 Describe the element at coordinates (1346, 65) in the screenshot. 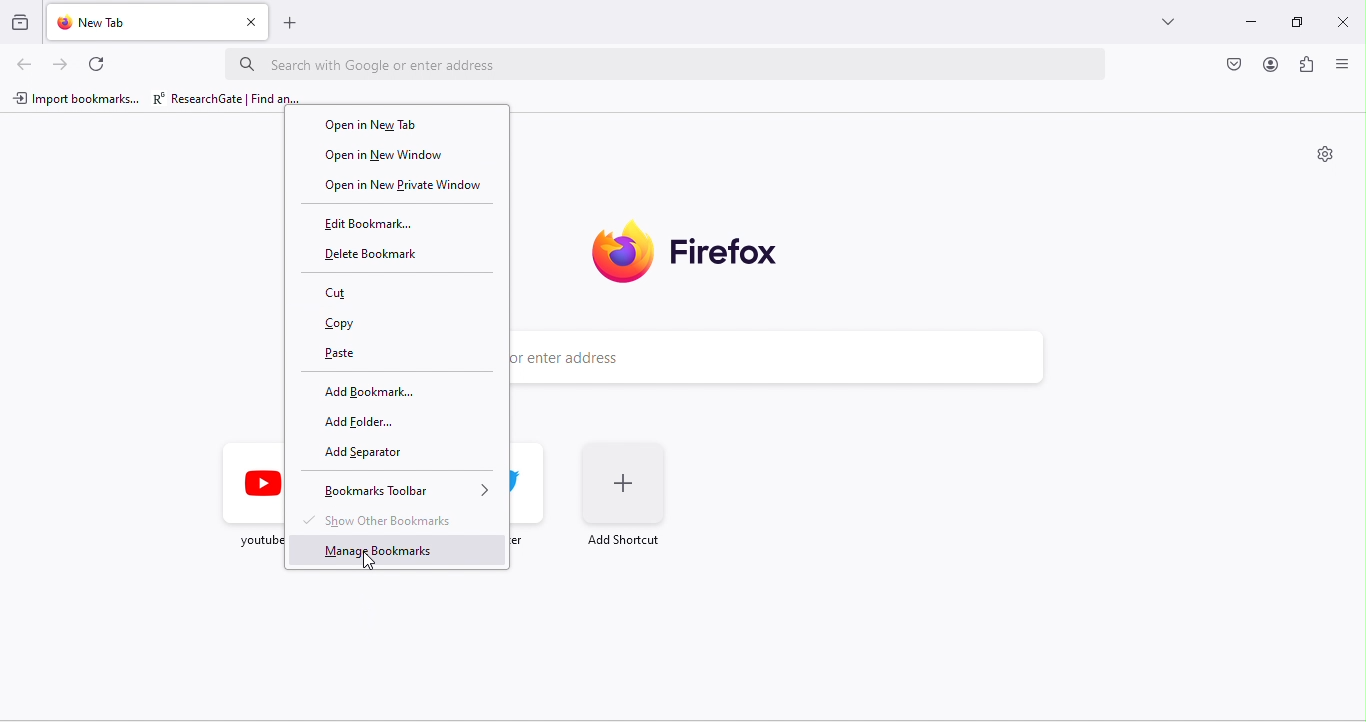

I see `view menu` at that location.